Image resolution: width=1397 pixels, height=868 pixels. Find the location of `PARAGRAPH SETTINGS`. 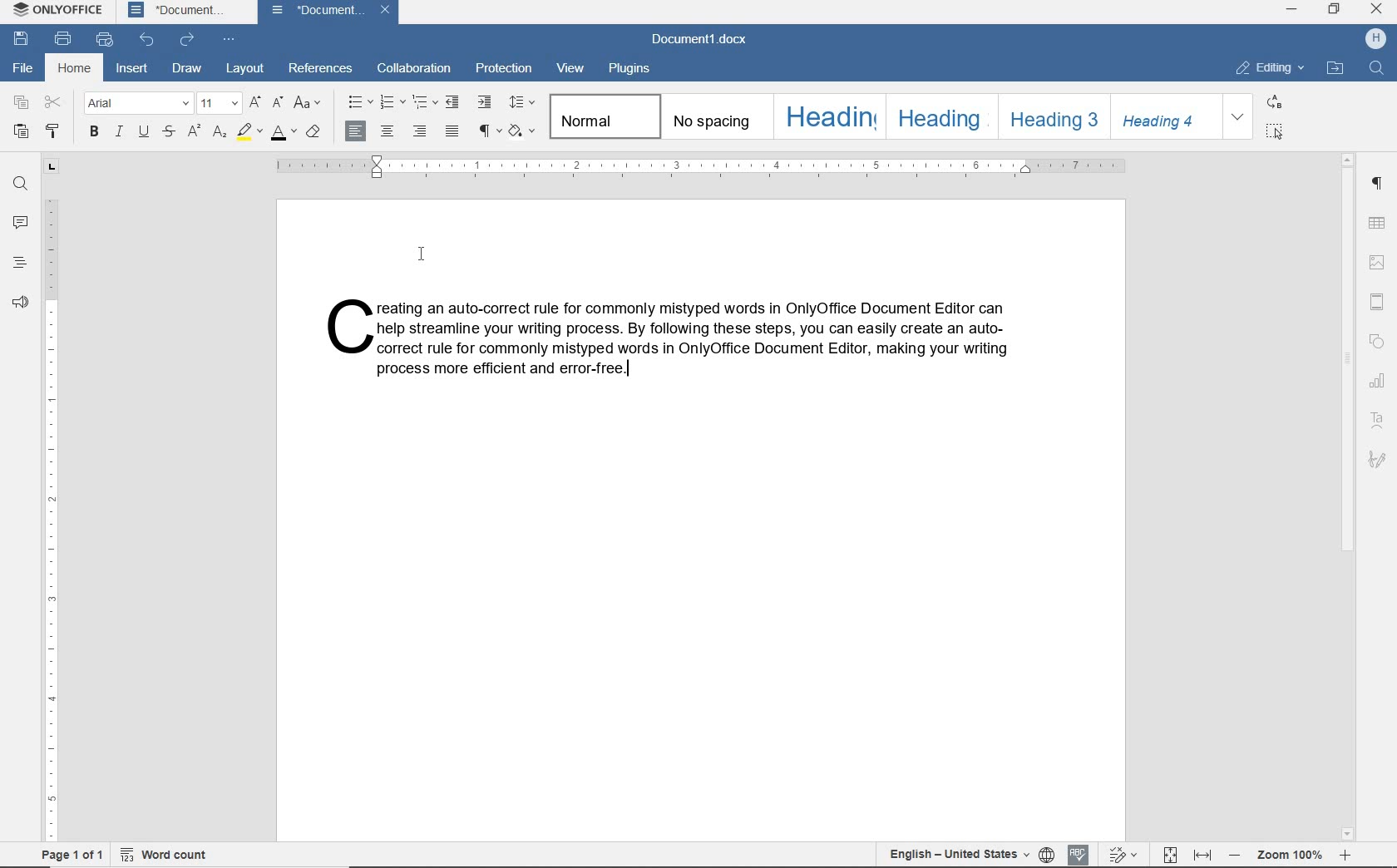

PARAGRAPH SETTINGS is located at coordinates (1376, 184).